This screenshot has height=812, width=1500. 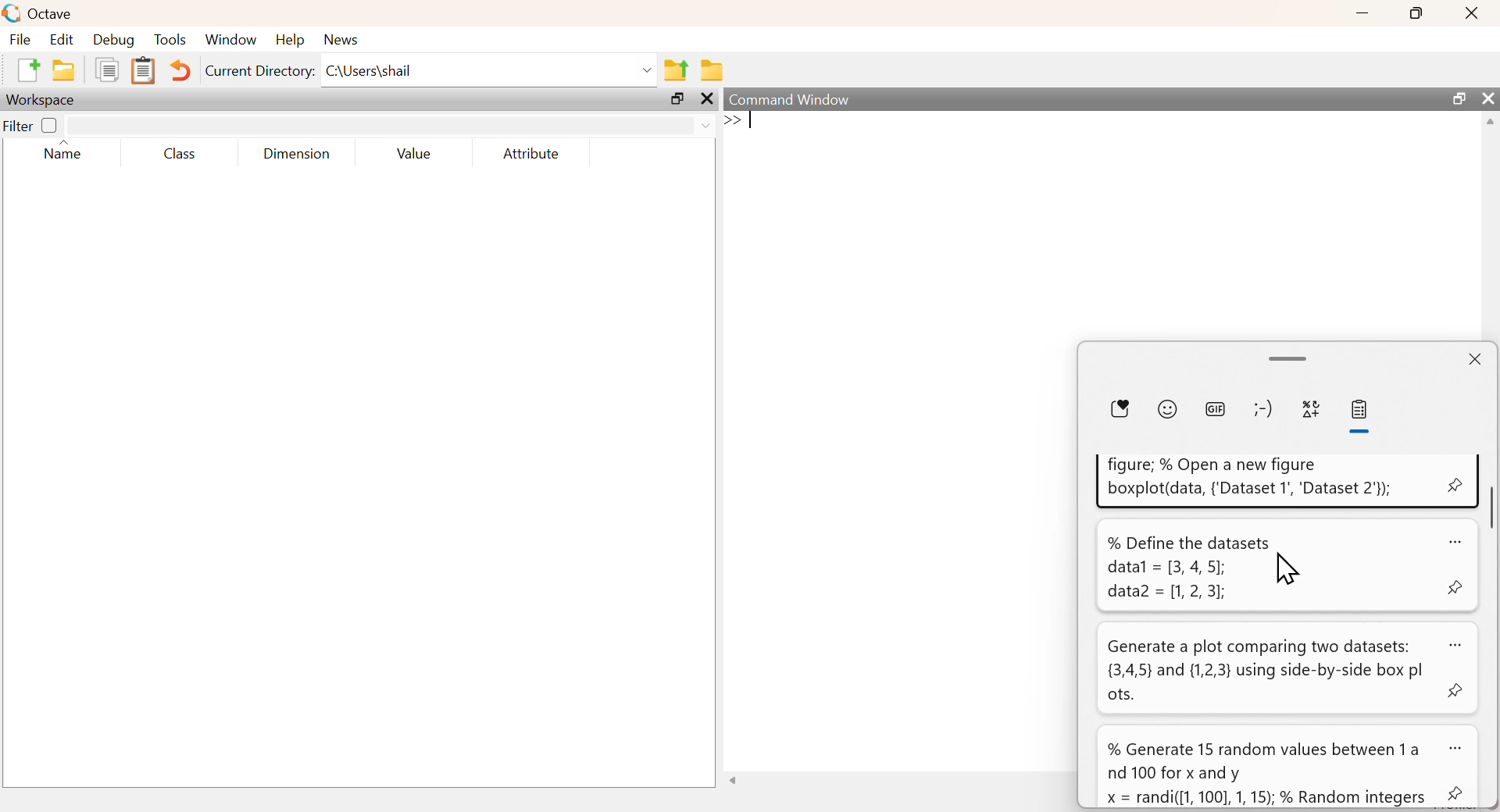 I want to click on scroll up, so click(x=1488, y=124).